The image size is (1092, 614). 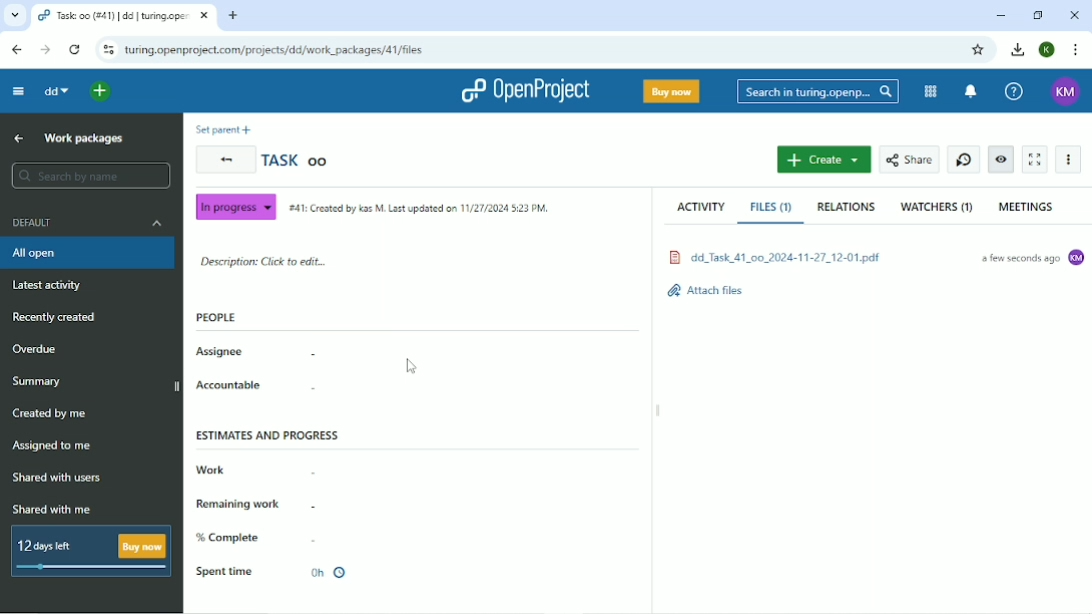 I want to click on View site information, so click(x=109, y=50).